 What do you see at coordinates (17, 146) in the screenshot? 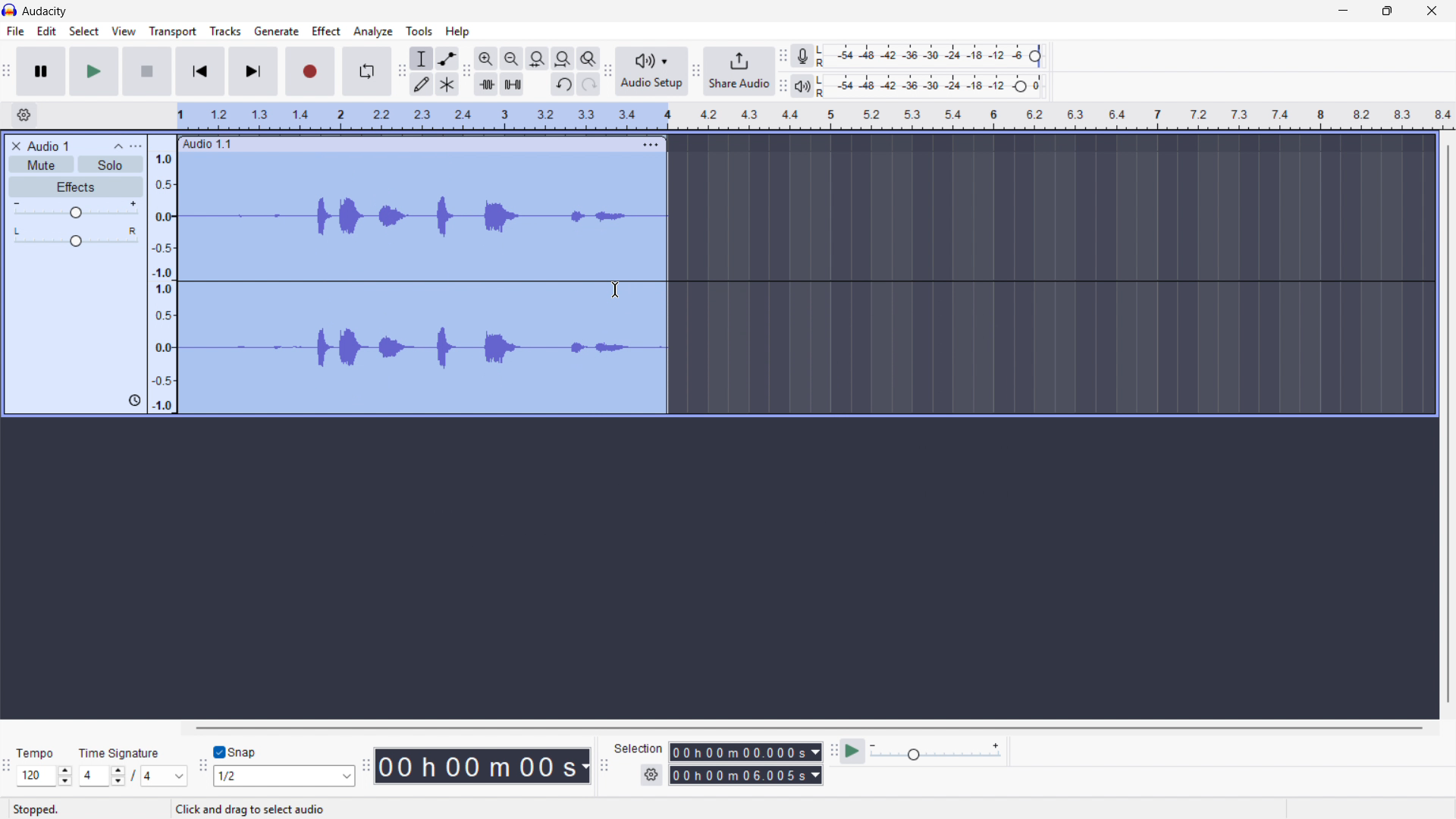
I see `Remove track ` at bounding box center [17, 146].